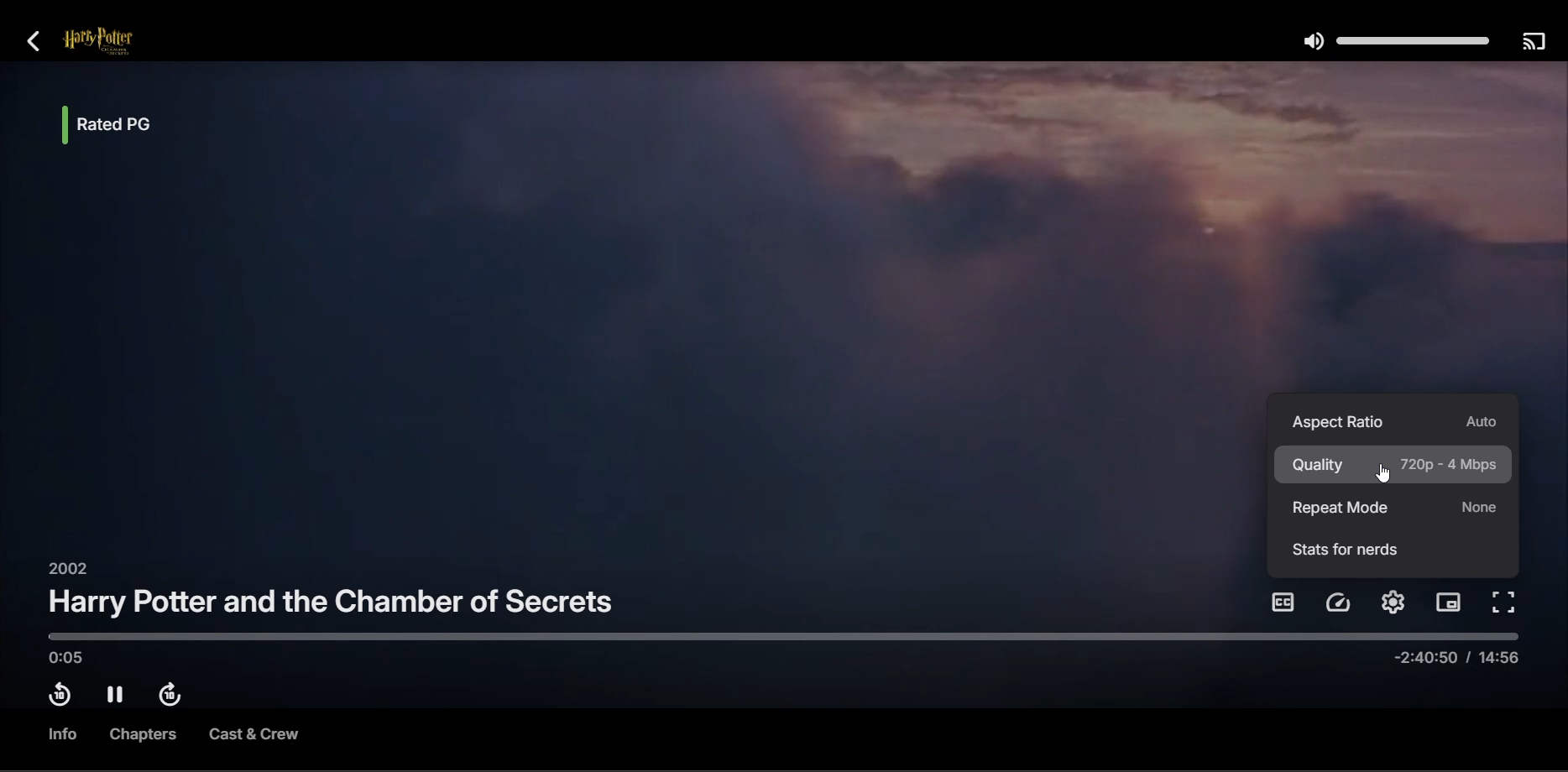  I want to click on Play/Pause, so click(118, 696).